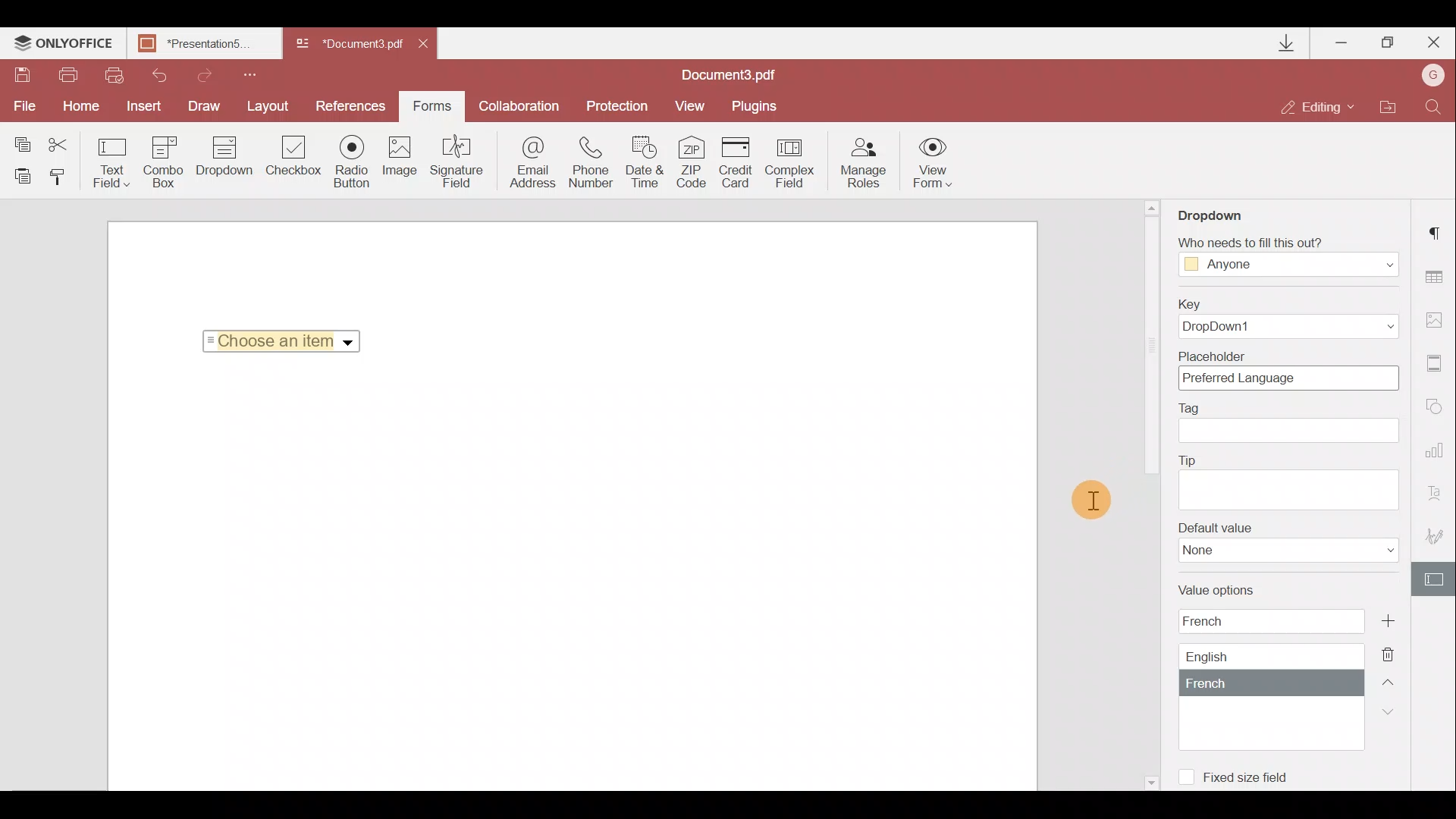 This screenshot has height=819, width=1456. What do you see at coordinates (1438, 228) in the screenshot?
I see `Paragraph settings` at bounding box center [1438, 228].